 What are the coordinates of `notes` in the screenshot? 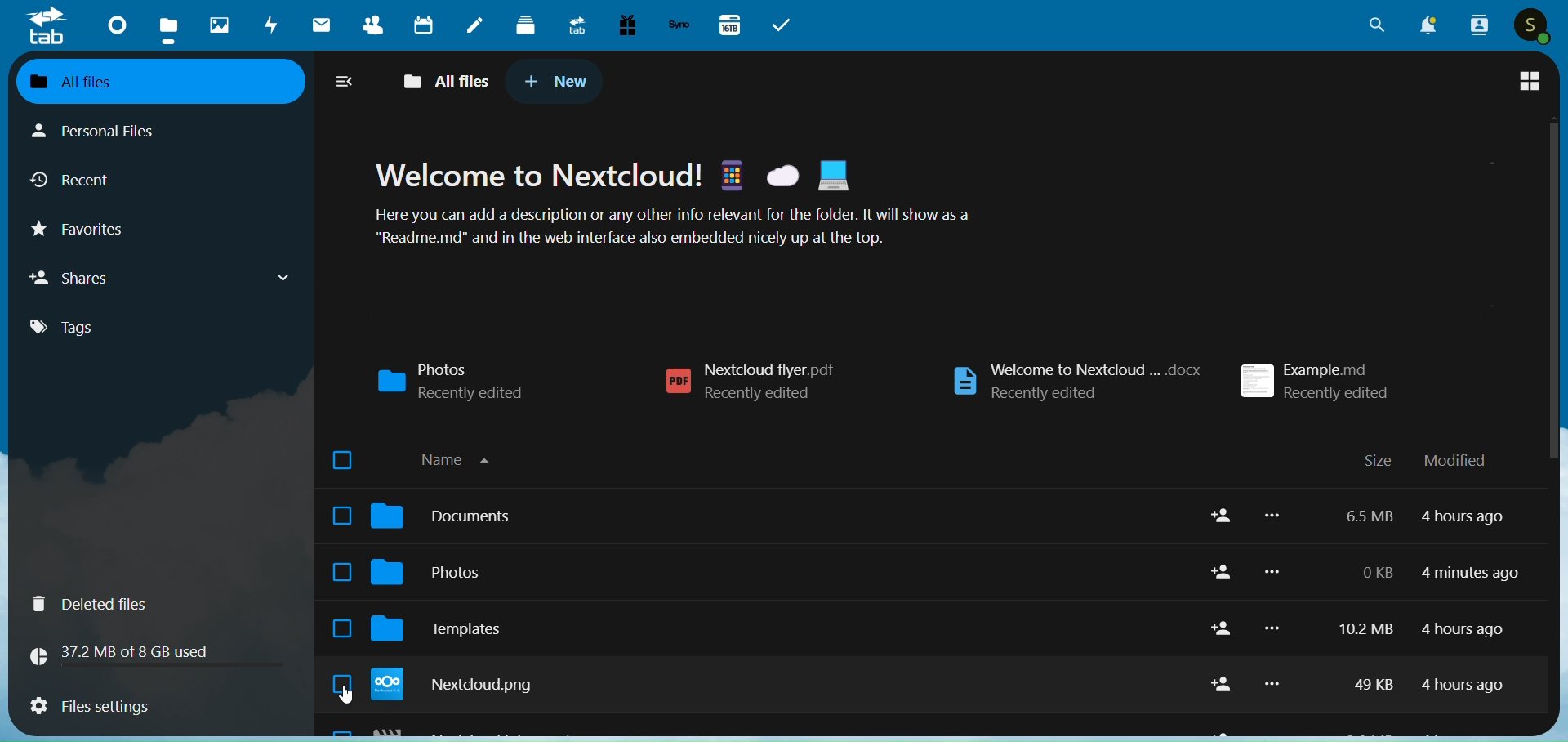 It's located at (476, 25).